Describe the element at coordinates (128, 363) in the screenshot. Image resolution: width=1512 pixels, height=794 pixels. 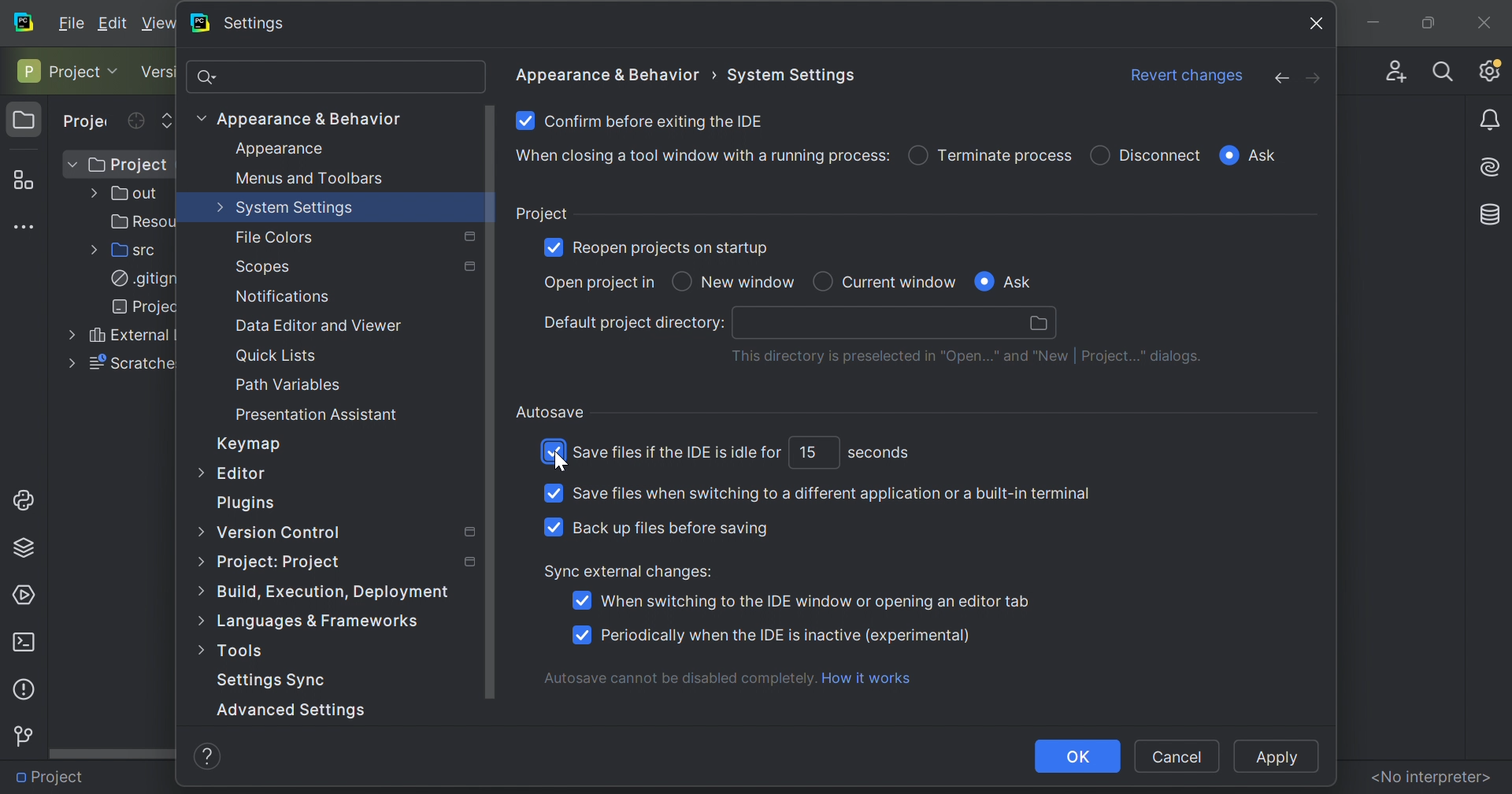
I see `Scratches and Consoles` at that location.